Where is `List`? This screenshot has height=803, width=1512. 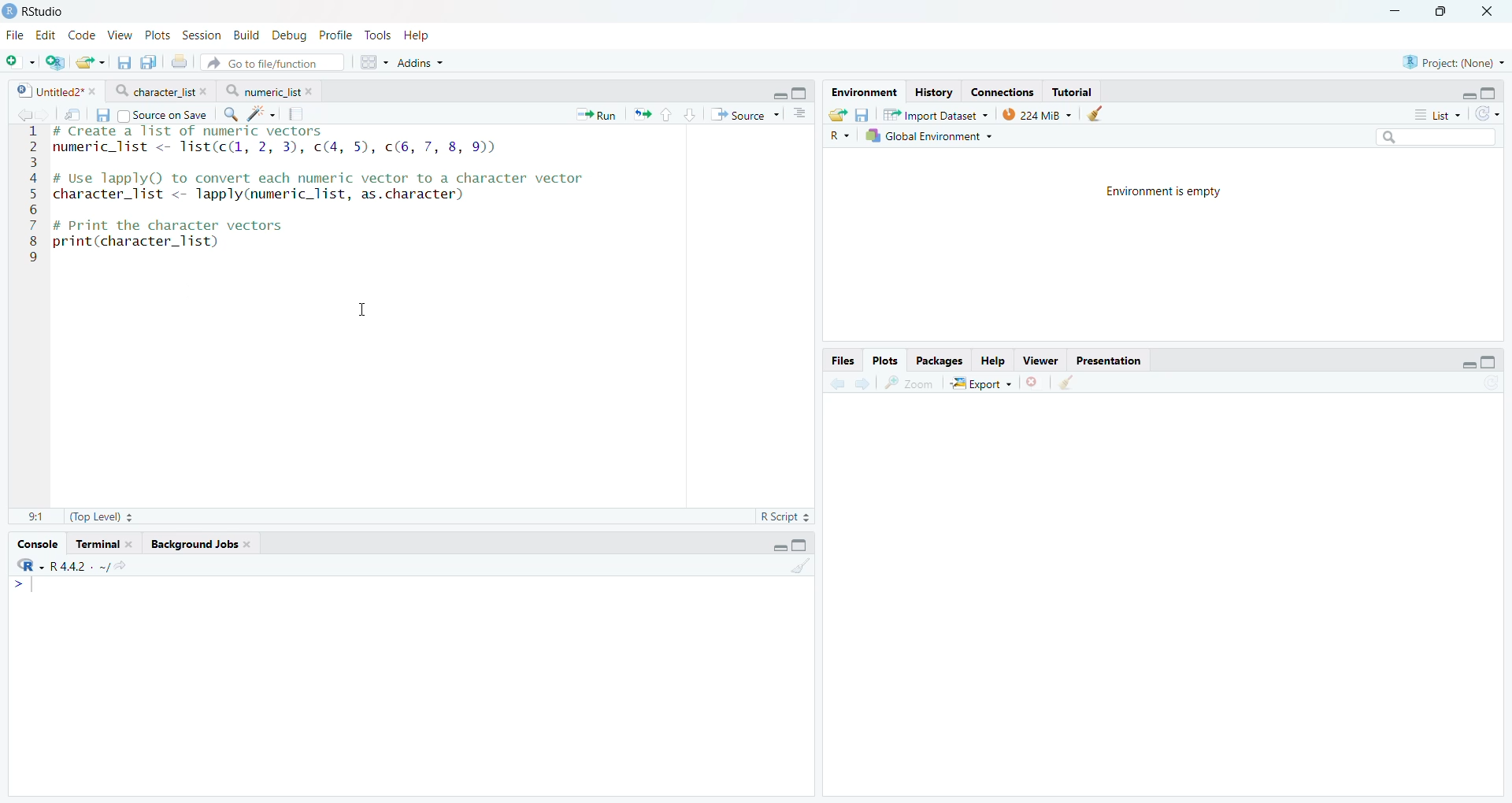 List is located at coordinates (1440, 113).